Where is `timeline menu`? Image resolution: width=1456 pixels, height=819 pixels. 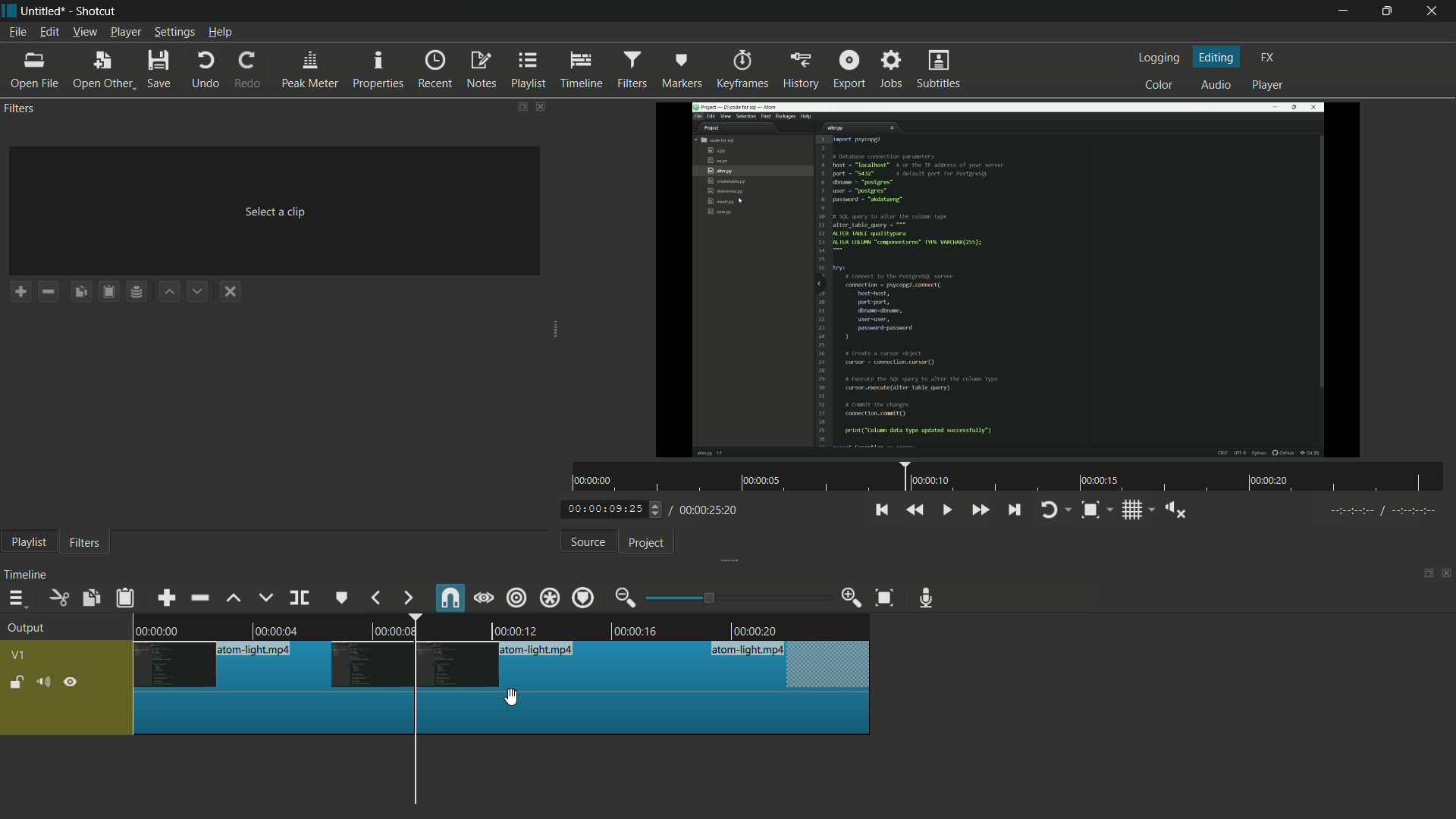
timeline menu is located at coordinates (16, 598).